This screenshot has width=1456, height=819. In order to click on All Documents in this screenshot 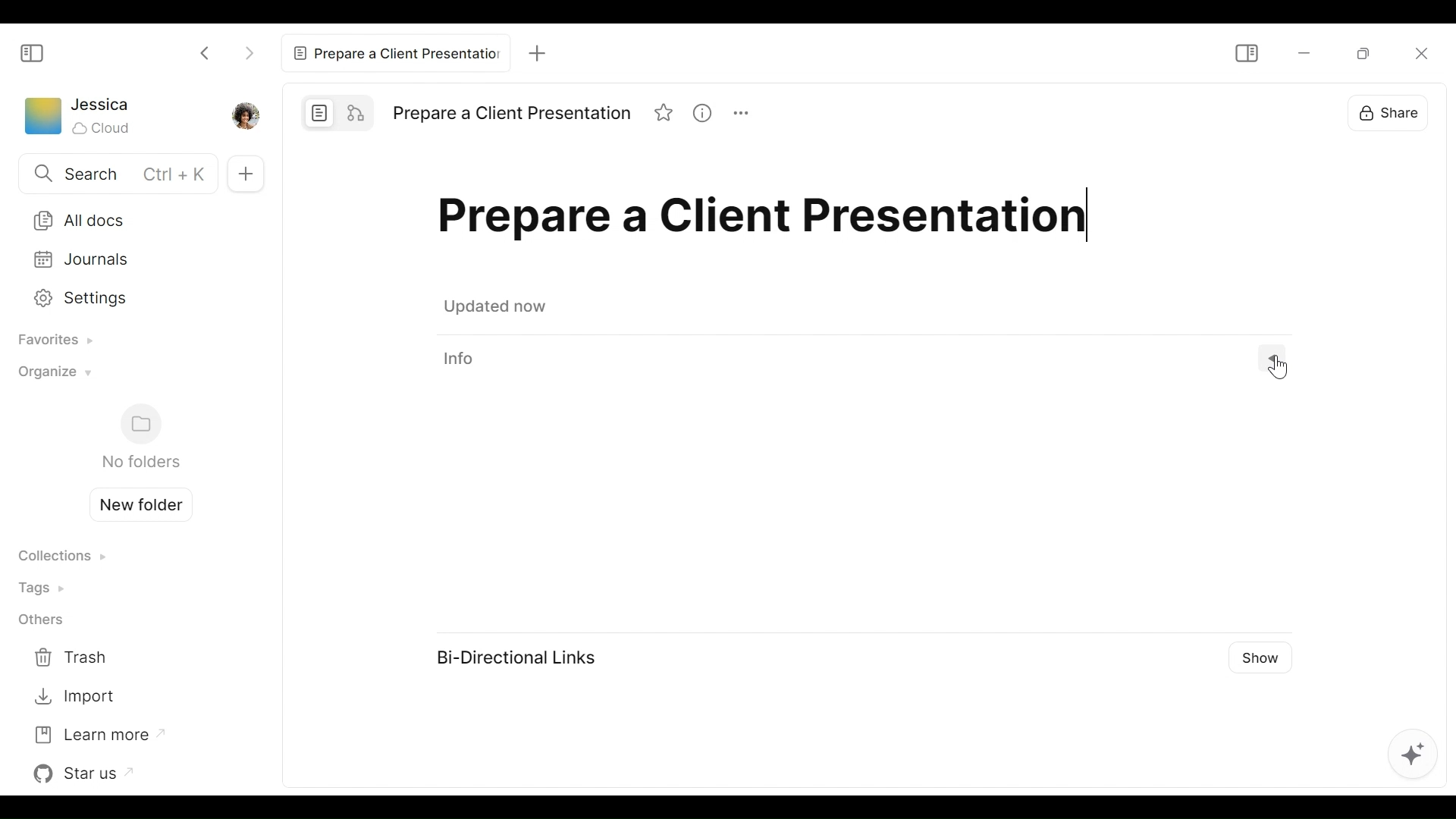, I will do `click(130, 219)`.